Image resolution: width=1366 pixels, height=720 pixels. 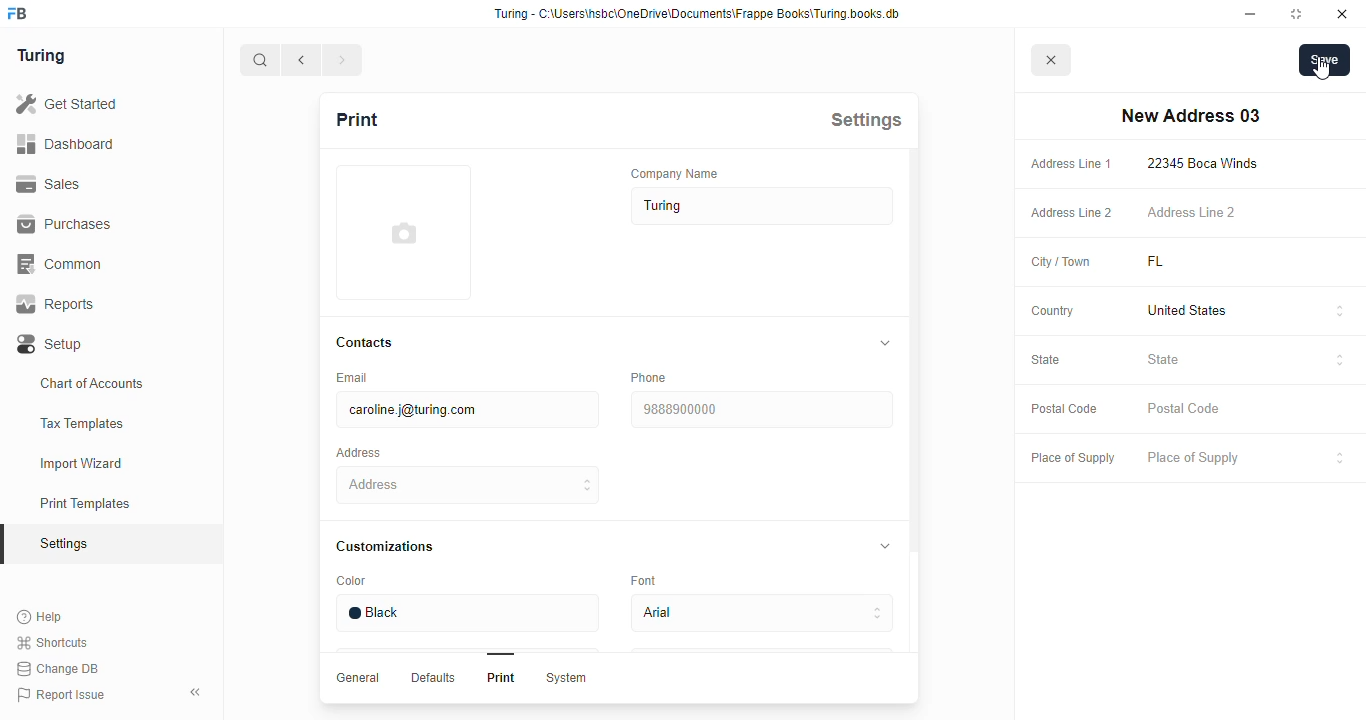 I want to click on Defaults, so click(x=431, y=677).